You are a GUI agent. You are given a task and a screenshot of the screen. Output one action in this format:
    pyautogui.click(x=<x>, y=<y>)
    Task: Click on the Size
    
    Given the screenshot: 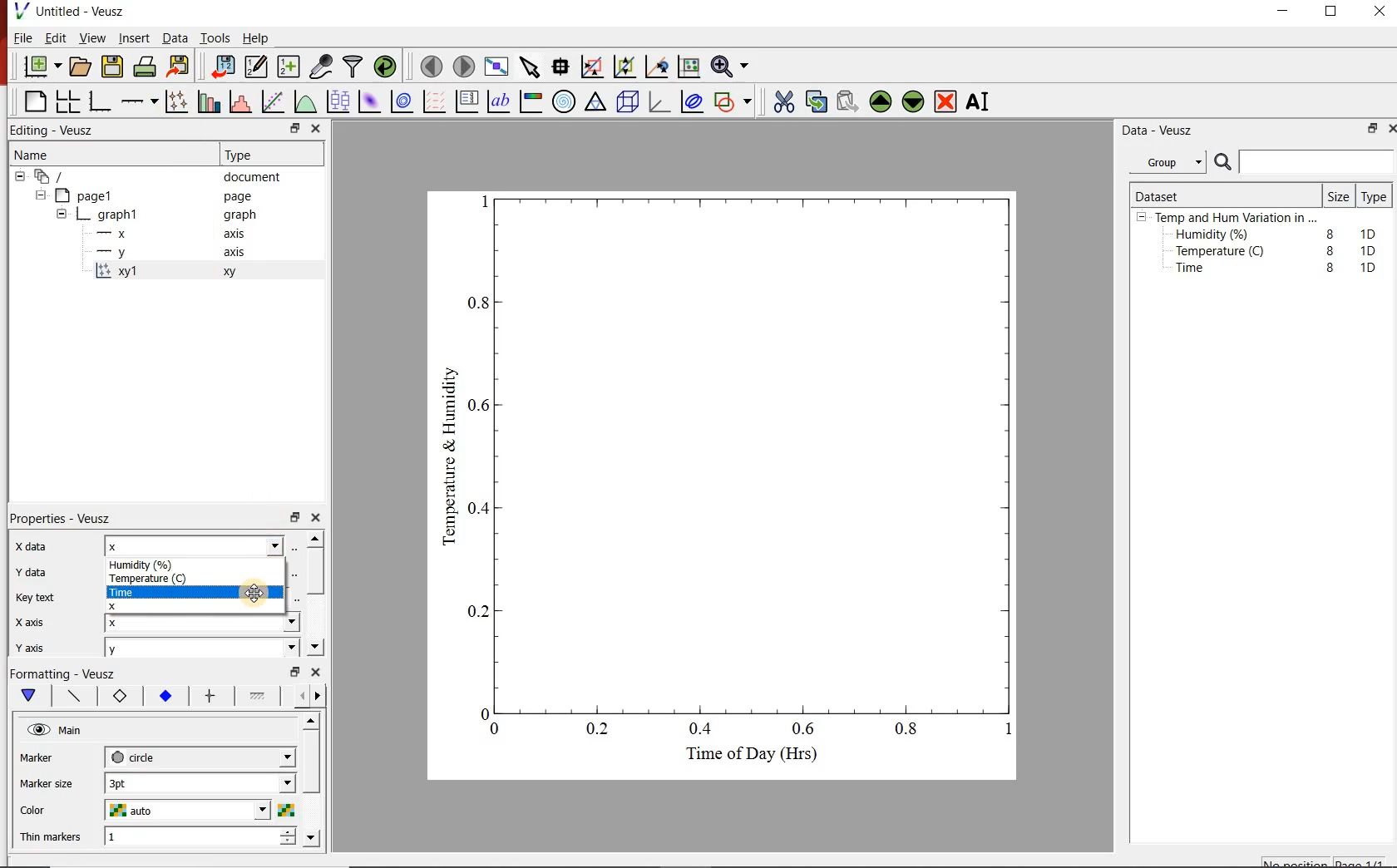 What is the action you would take?
    pyautogui.click(x=1337, y=195)
    